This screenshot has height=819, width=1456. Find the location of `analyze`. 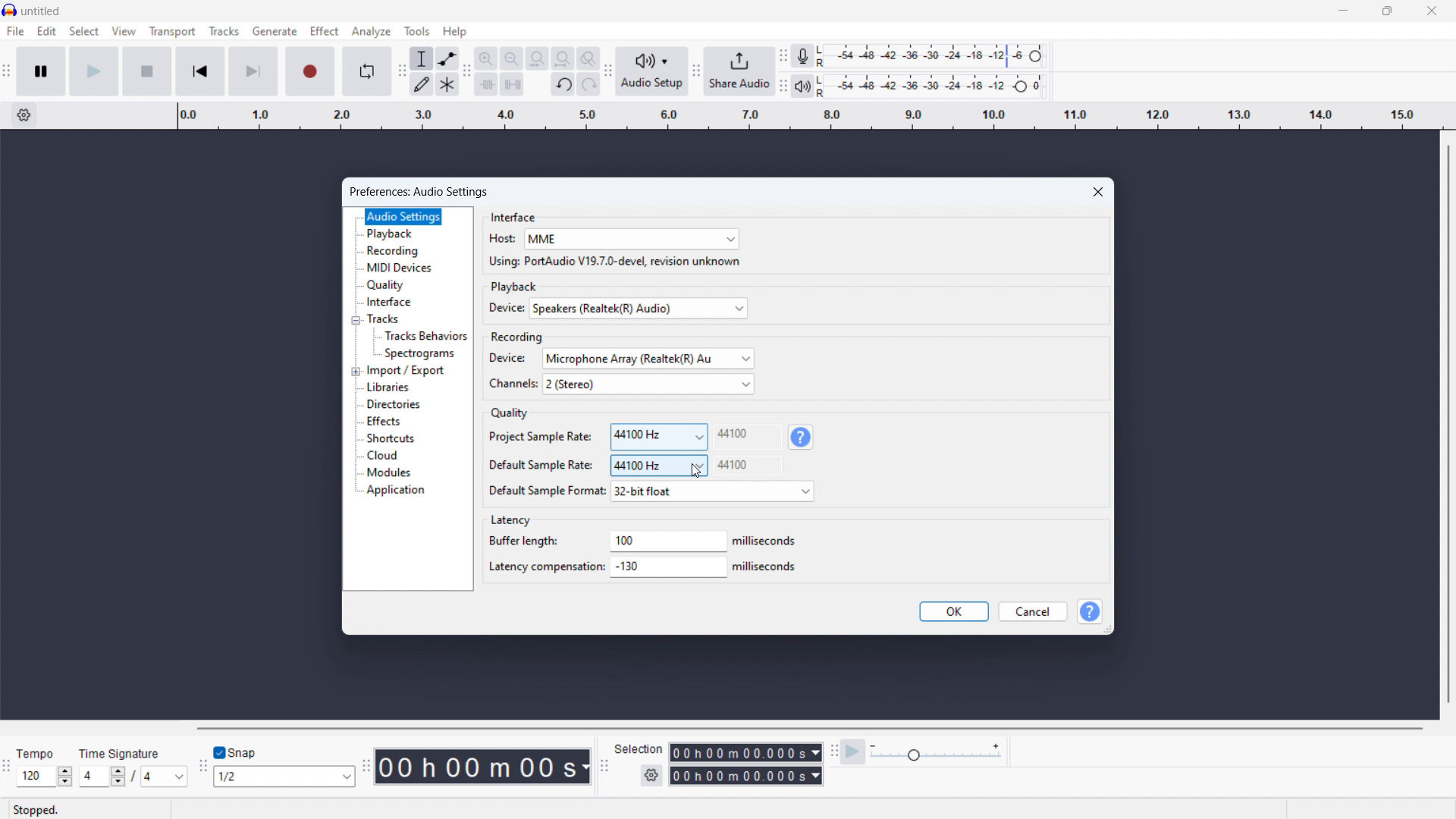

analyze is located at coordinates (371, 31).